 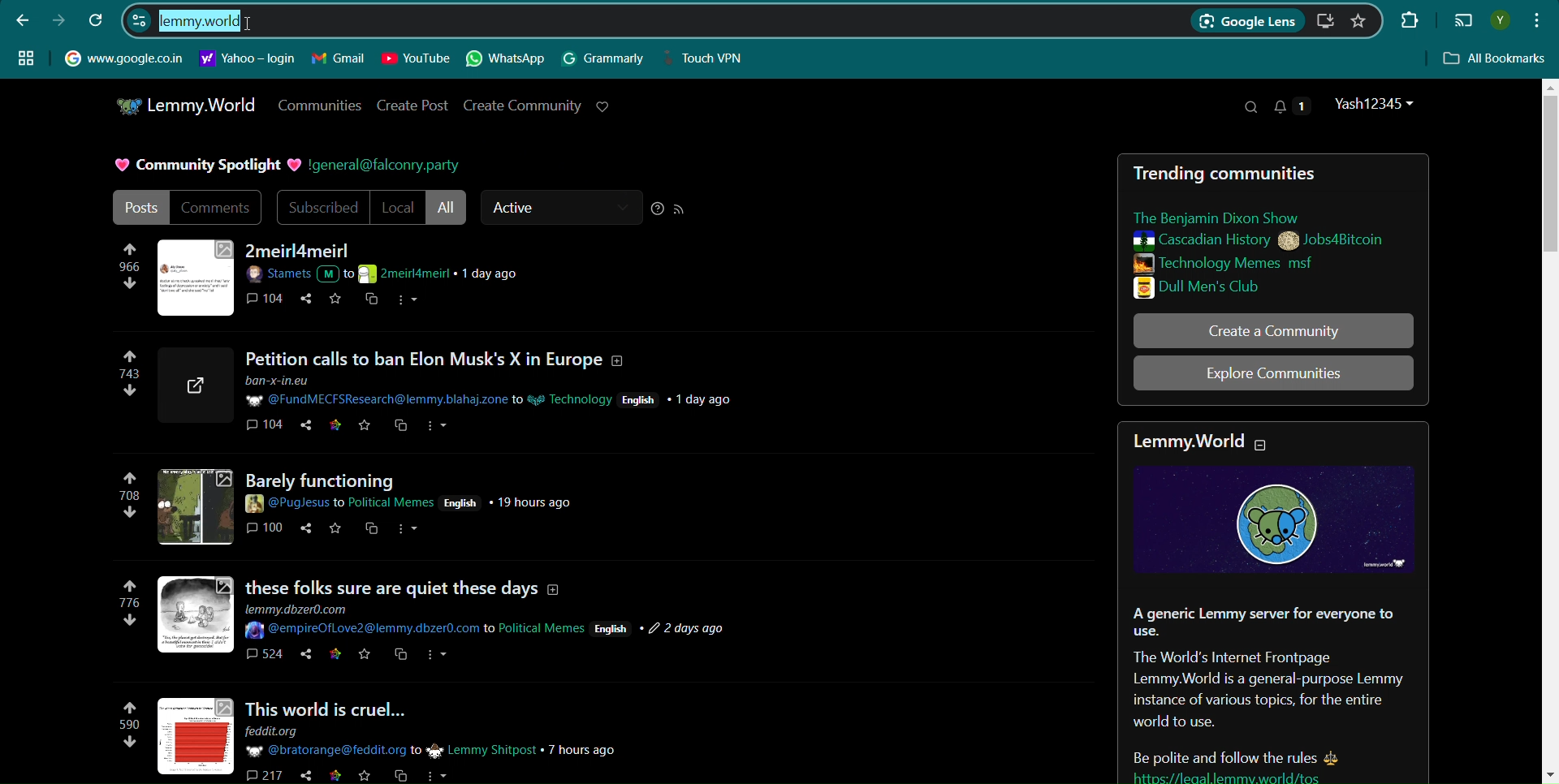 What do you see at coordinates (248, 58) in the screenshot?
I see `Hyperlink` at bounding box center [248, 58].